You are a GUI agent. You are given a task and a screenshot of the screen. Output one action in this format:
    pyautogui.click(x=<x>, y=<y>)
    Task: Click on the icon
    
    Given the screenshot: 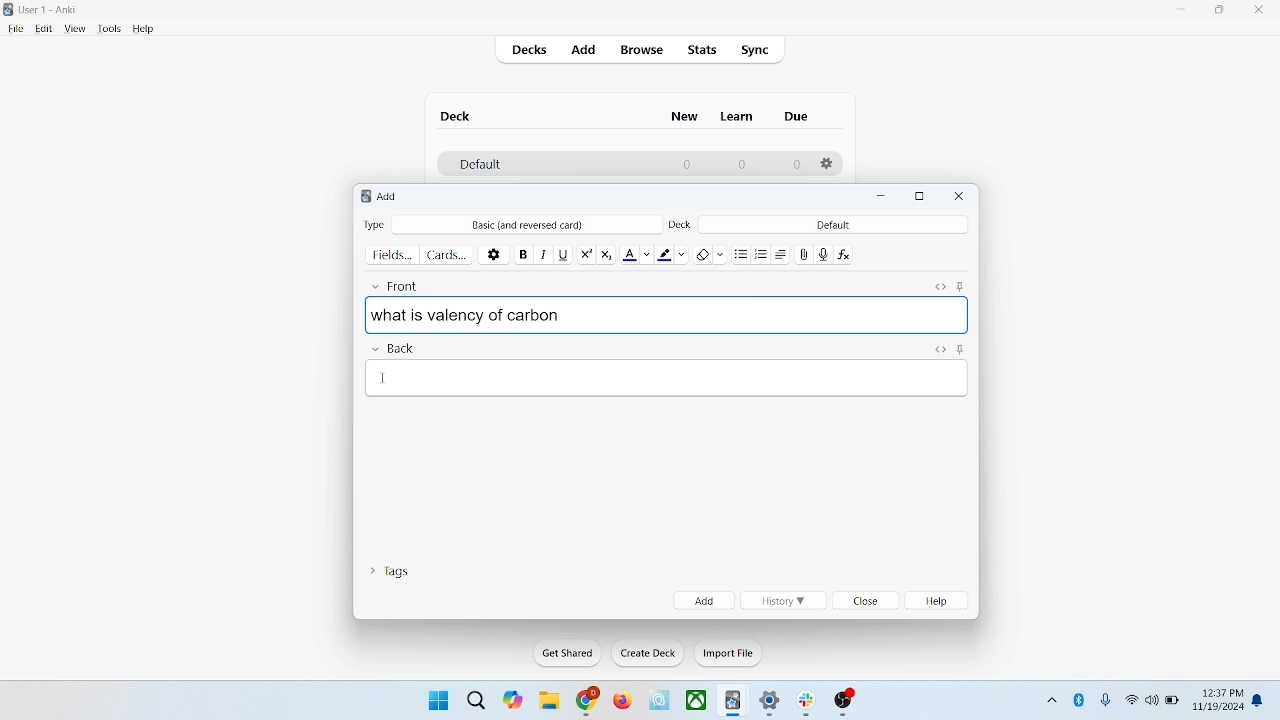 What is the action you would take?
    pyautogui.click(x=661, y=701)
    